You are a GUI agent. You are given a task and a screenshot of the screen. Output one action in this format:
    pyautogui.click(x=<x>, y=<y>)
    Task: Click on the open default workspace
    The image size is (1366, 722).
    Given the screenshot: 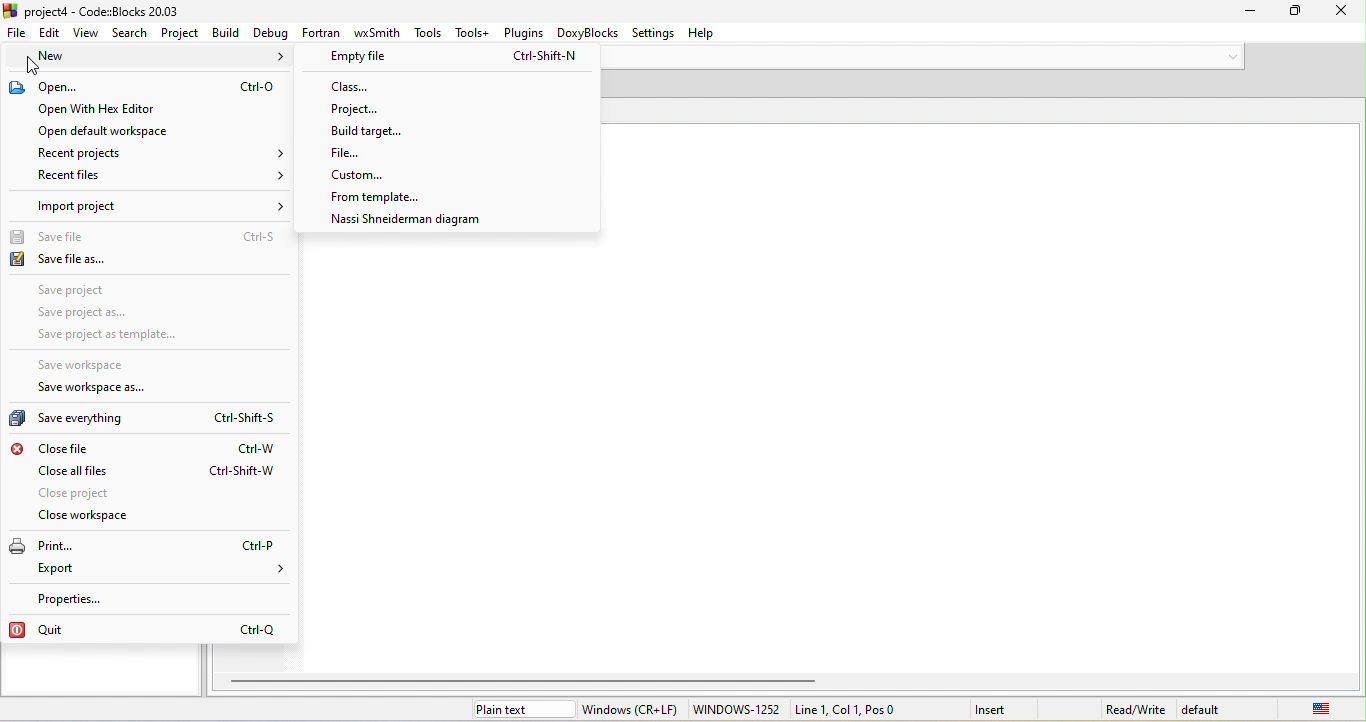 What is the action you would take?
    pyautogui.click(x=149, y=132)
    